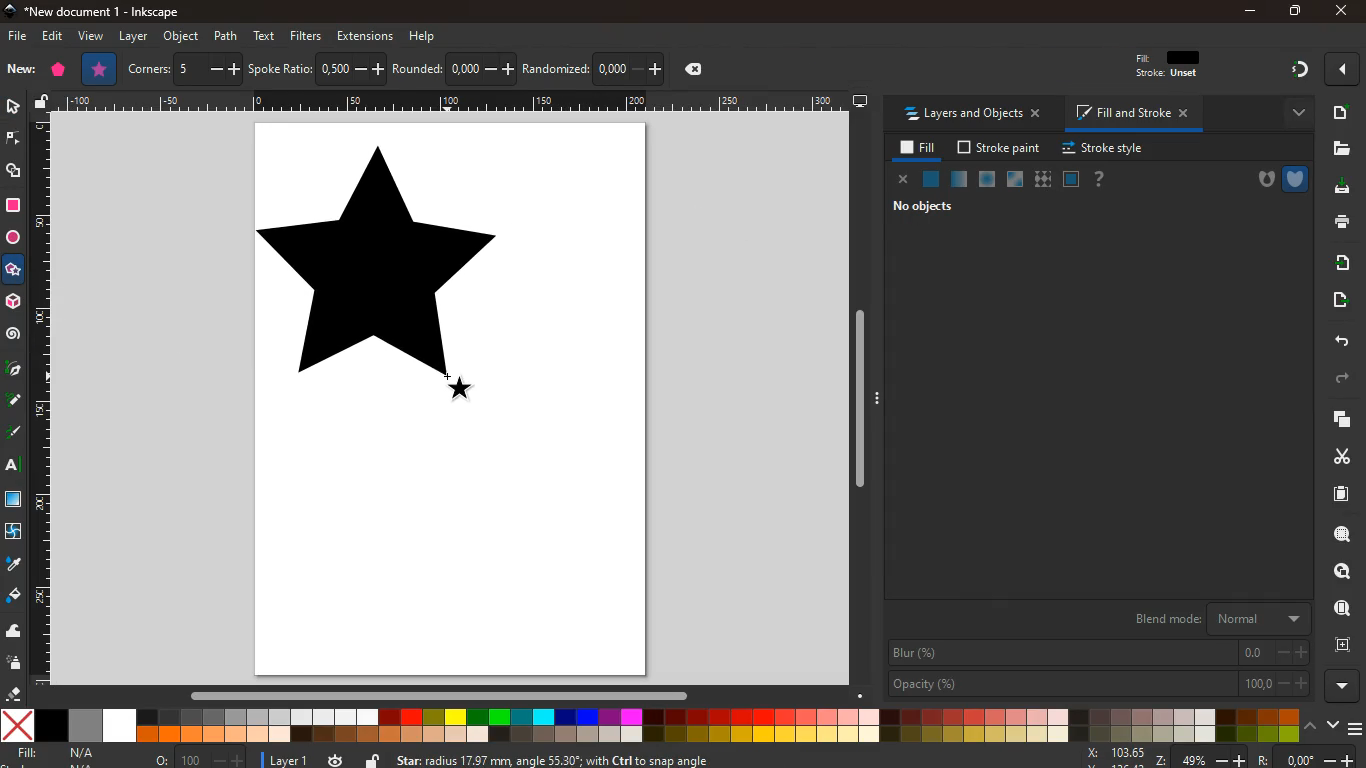 The image size is (1366, 768). I want to click on layer 1, so click(293, 760).